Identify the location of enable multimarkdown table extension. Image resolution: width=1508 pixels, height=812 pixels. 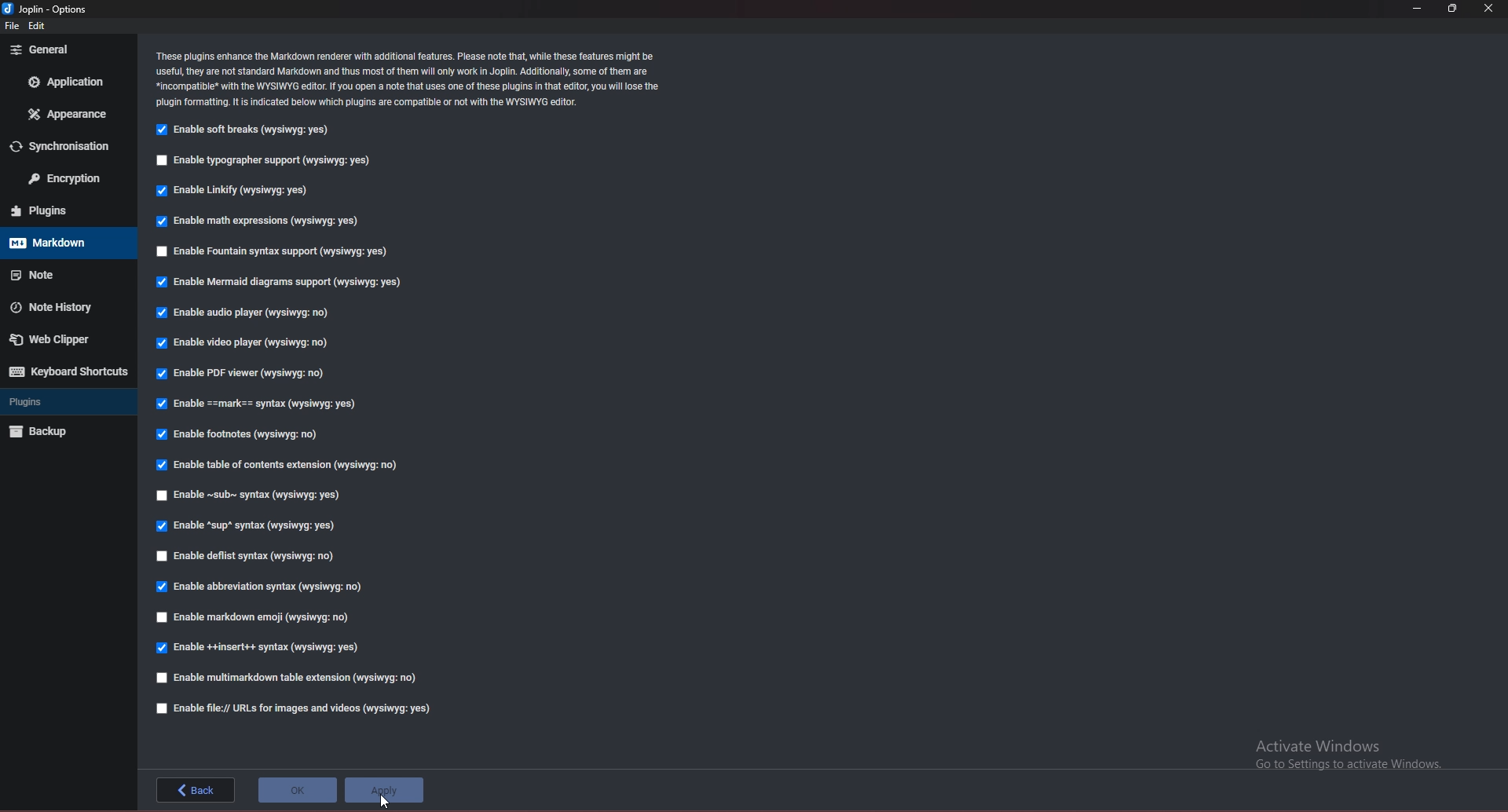
(293, 679).